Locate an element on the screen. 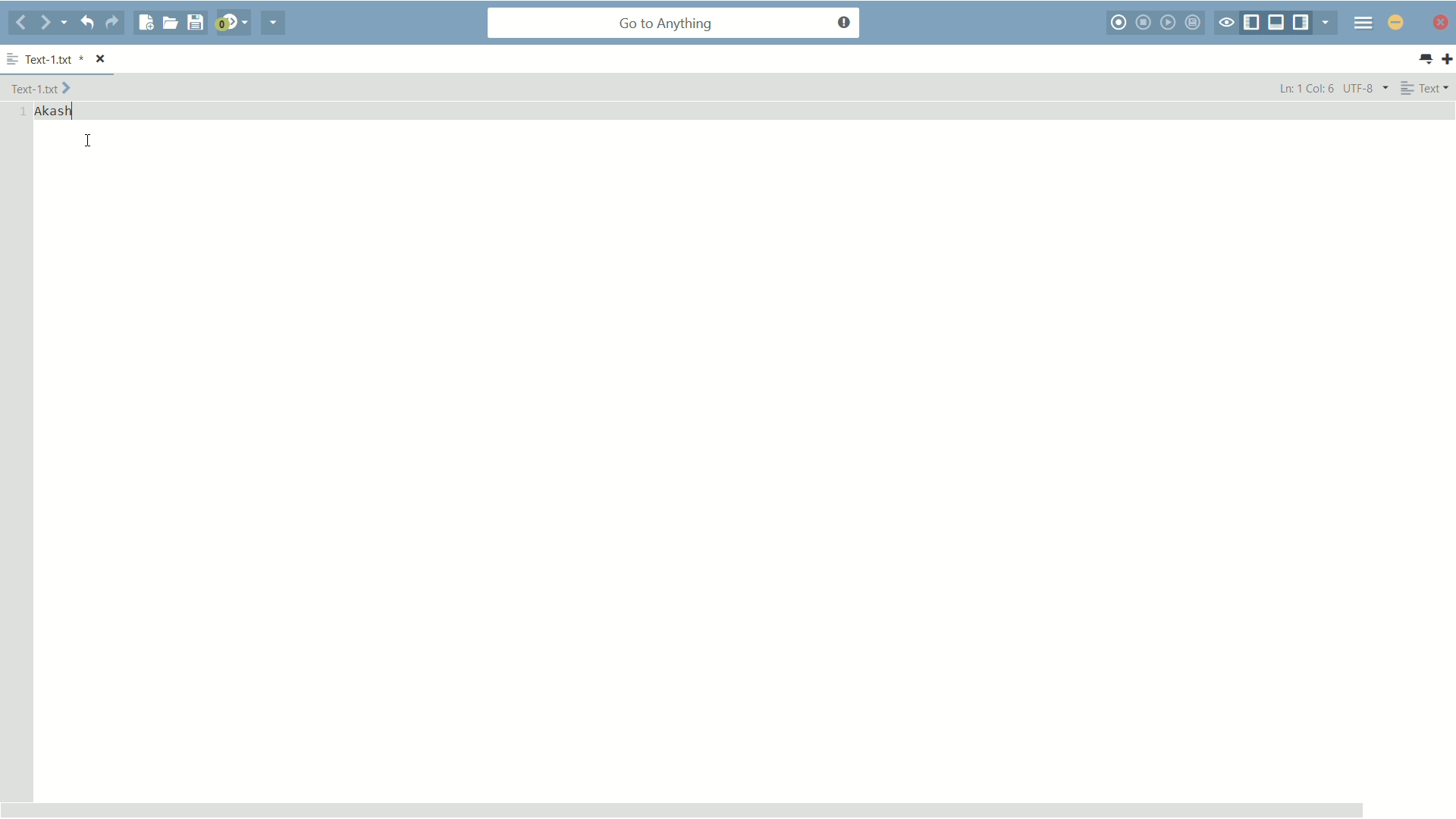  open a file is located at coordinates (170, 24).